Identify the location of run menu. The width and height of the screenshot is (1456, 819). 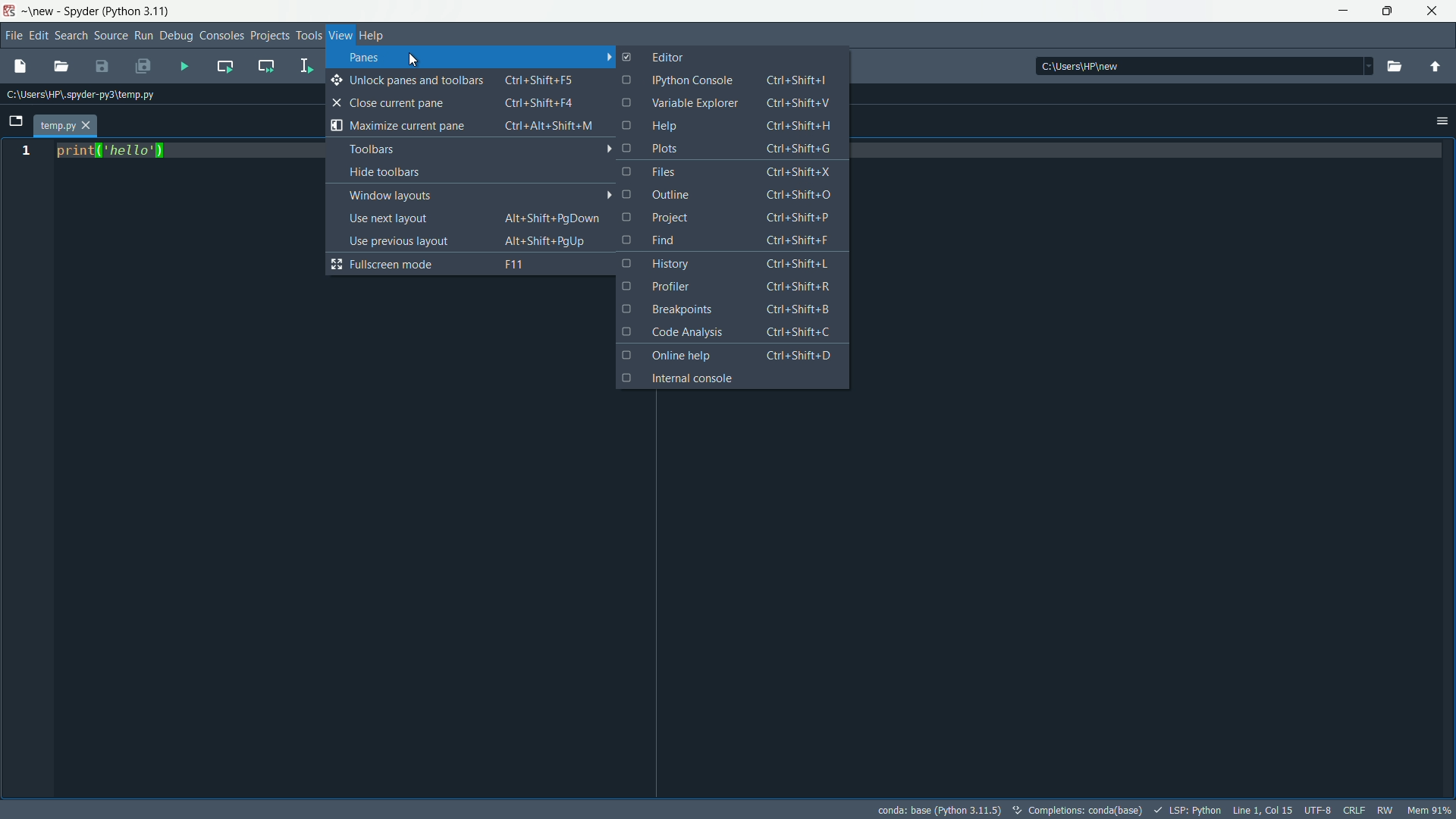
(143, 36).